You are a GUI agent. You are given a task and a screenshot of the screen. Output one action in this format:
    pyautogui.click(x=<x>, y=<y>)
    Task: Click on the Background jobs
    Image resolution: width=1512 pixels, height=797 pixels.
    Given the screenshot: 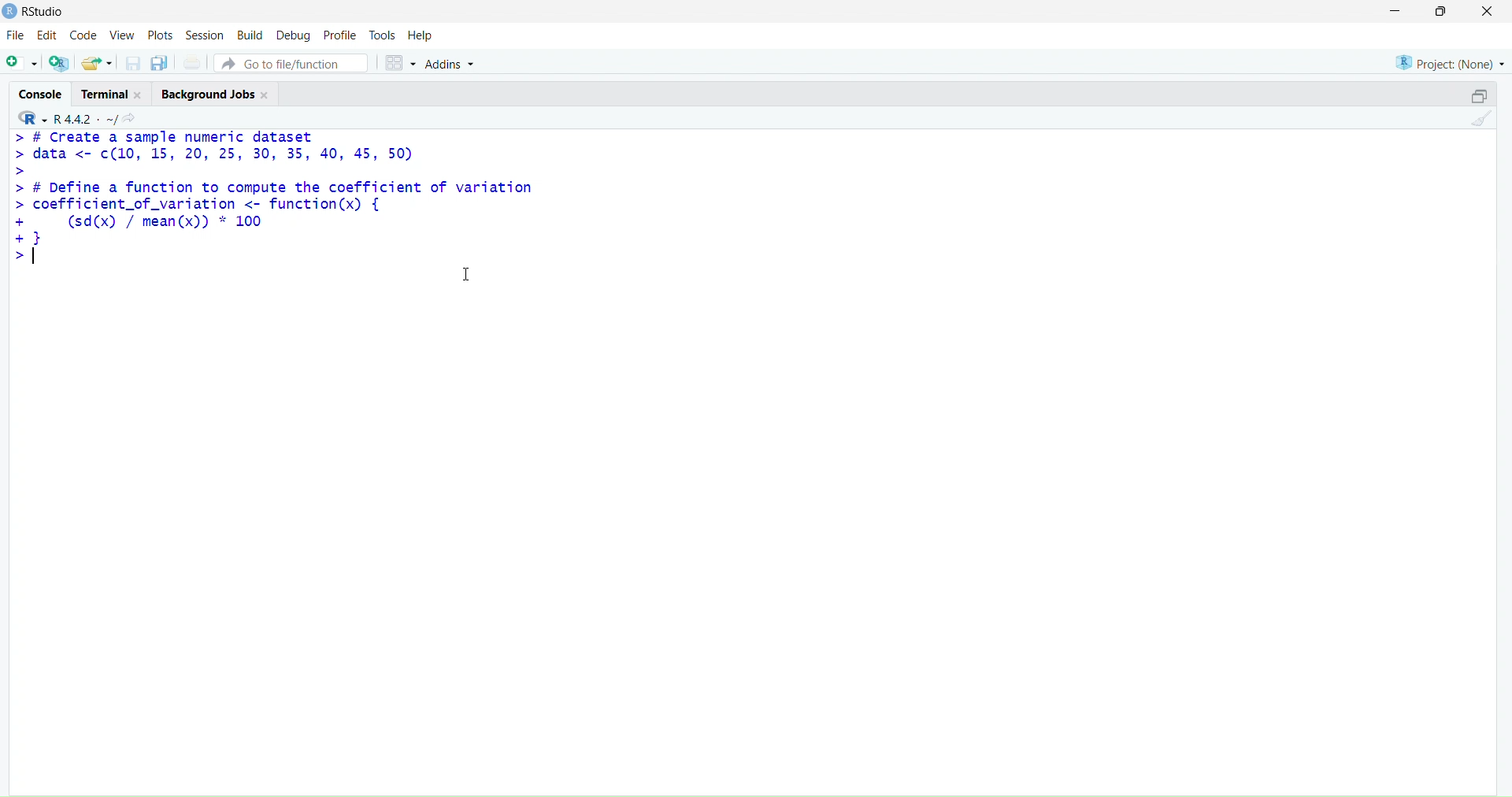 What is the action you would take?
    pyautogui.click(x=207, y=96)
    